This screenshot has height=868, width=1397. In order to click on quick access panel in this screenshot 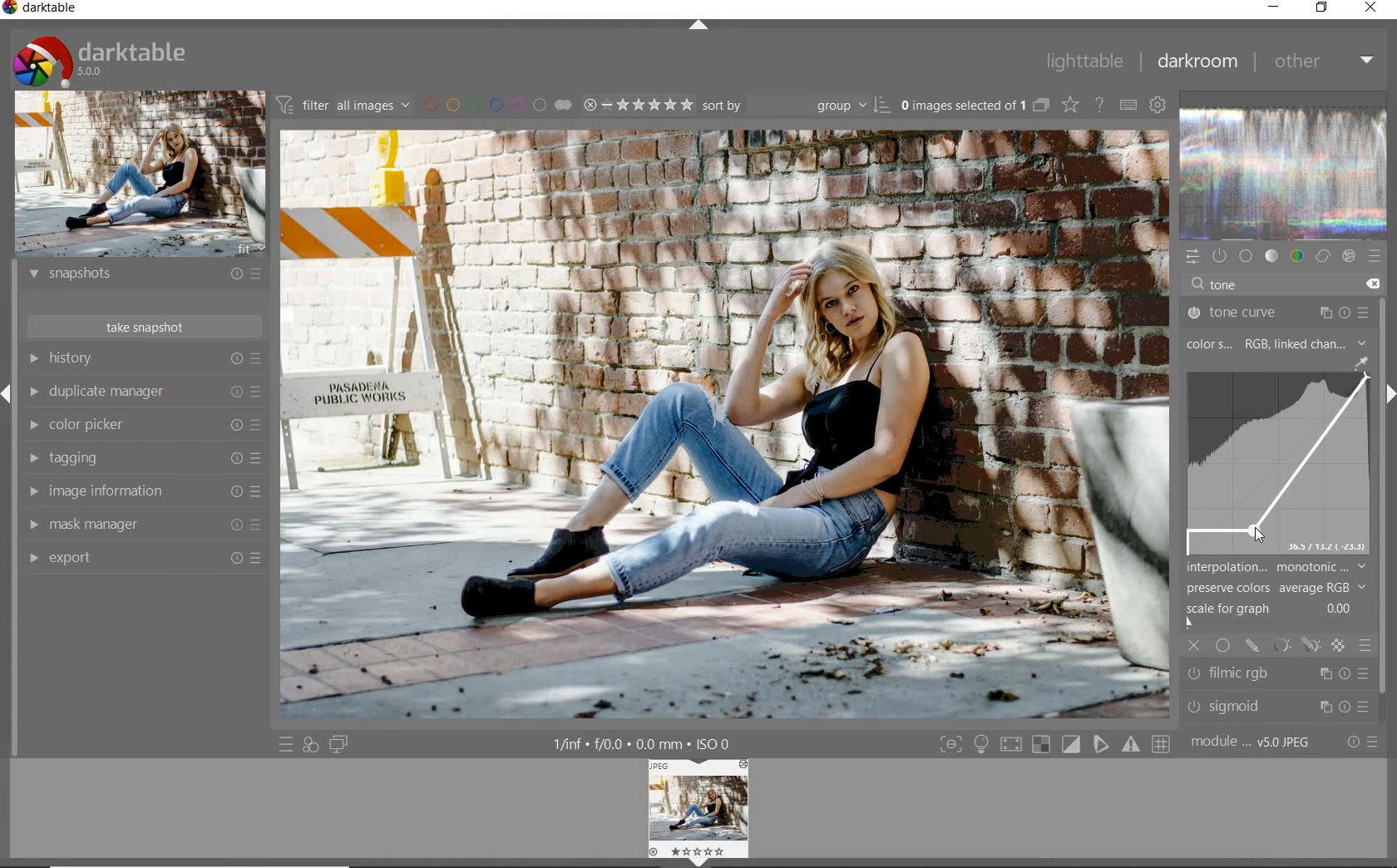, I will do `click(1192, 255)`.